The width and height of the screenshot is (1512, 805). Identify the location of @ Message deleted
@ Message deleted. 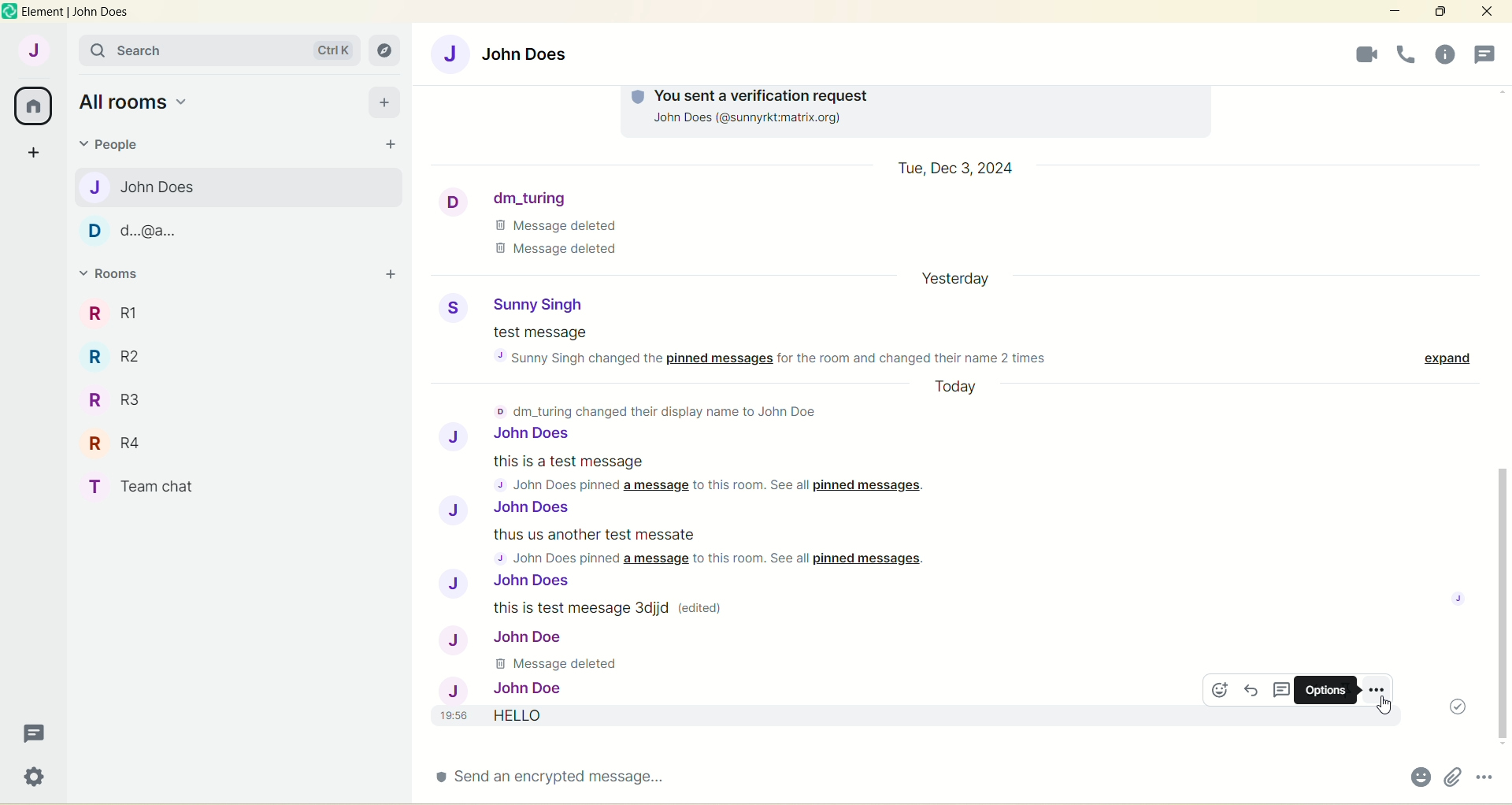
(558, 242).